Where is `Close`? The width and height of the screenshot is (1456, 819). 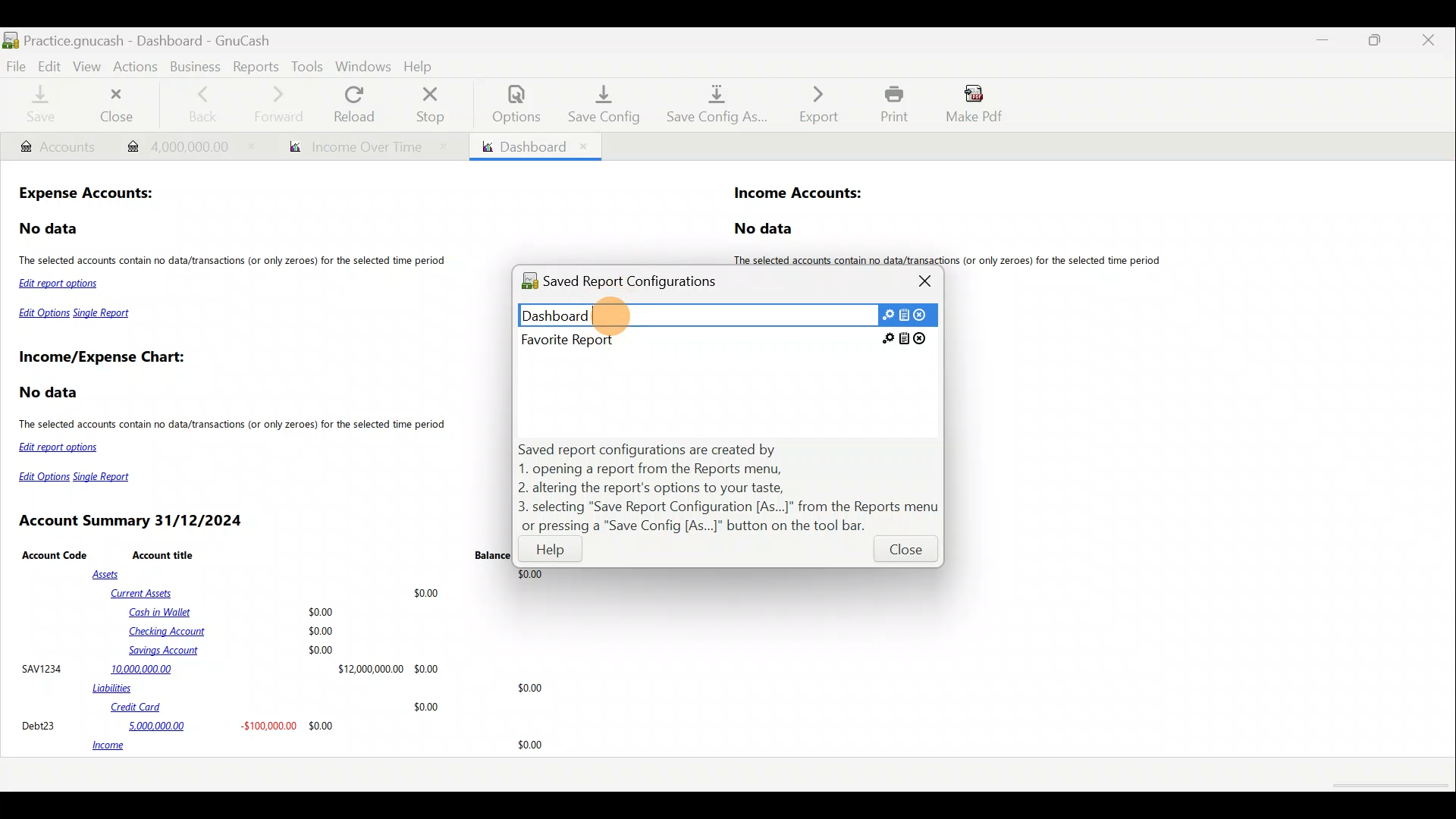 Close is located at coordinates (904, 553).